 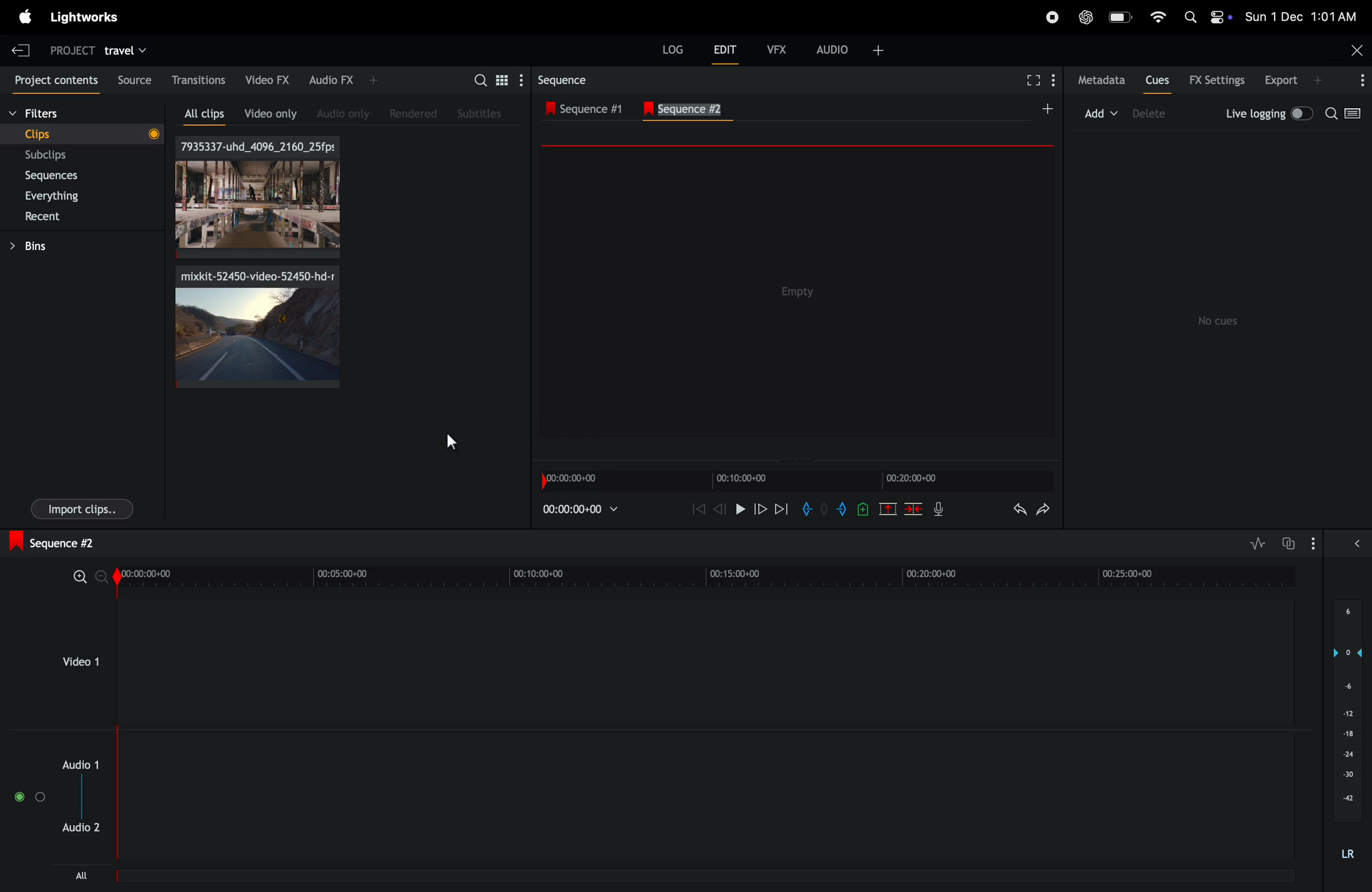 I want to click on toggle between list view, so click(x=500, y=80).